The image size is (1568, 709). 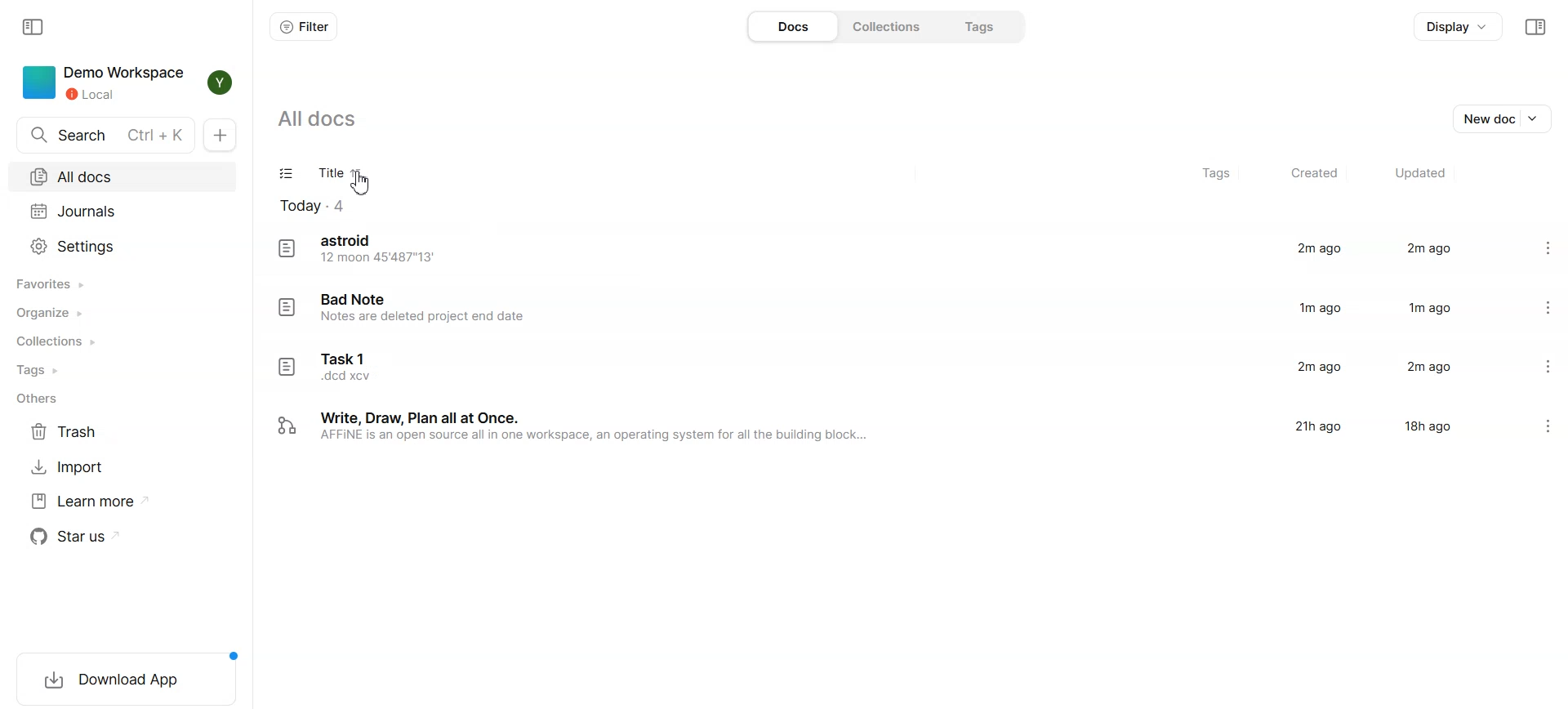 What do you see at coordinates (331, 174) in the screenshot?
I see `Title` at bounding box center [331, 174].